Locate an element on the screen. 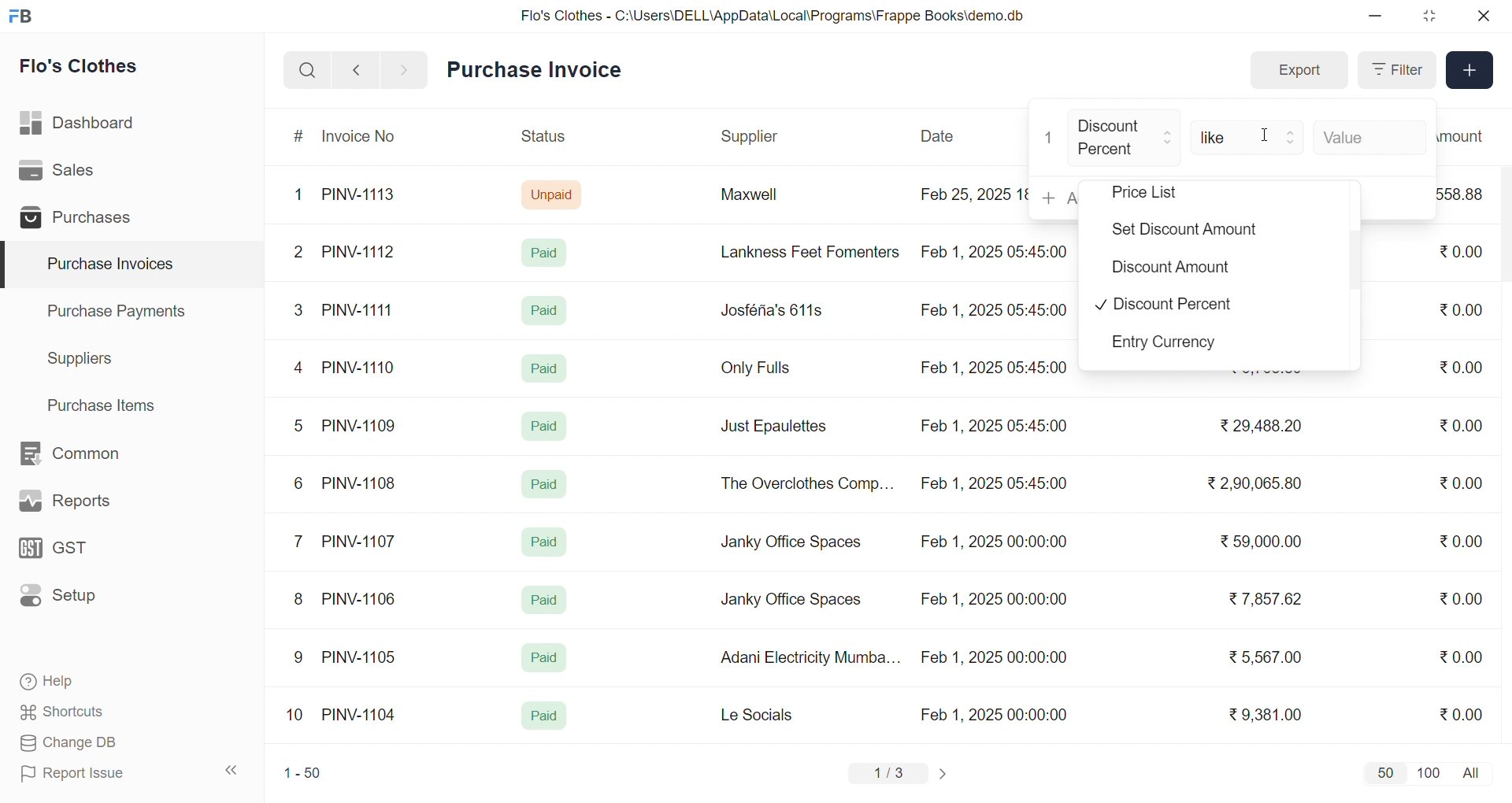 Image resolution: width=1512 pixels, height=803 pixels. Report Issue is located at coordinates (98, 773).